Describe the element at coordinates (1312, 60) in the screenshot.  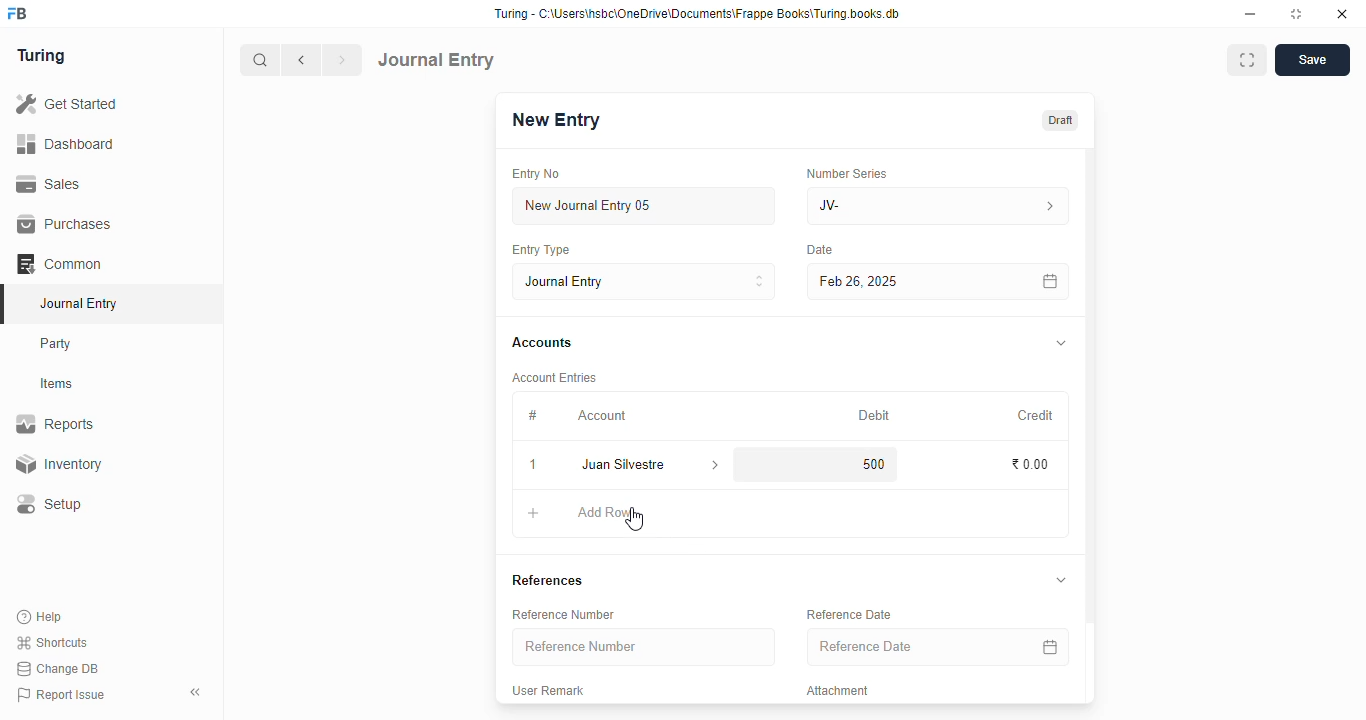
I see `save` at that location.